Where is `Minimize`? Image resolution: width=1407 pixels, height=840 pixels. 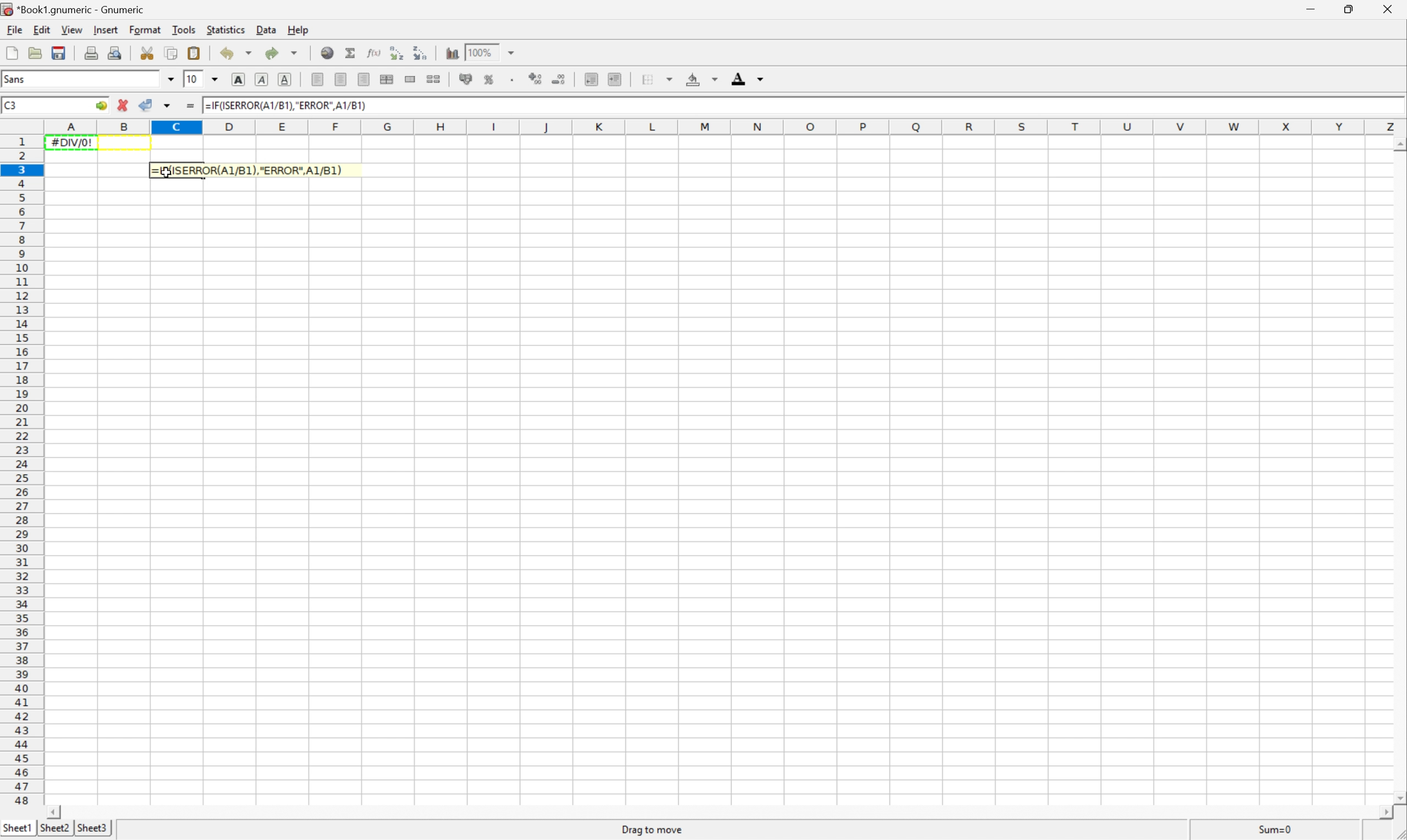 Minimize is located at coordinates (1310, 10).